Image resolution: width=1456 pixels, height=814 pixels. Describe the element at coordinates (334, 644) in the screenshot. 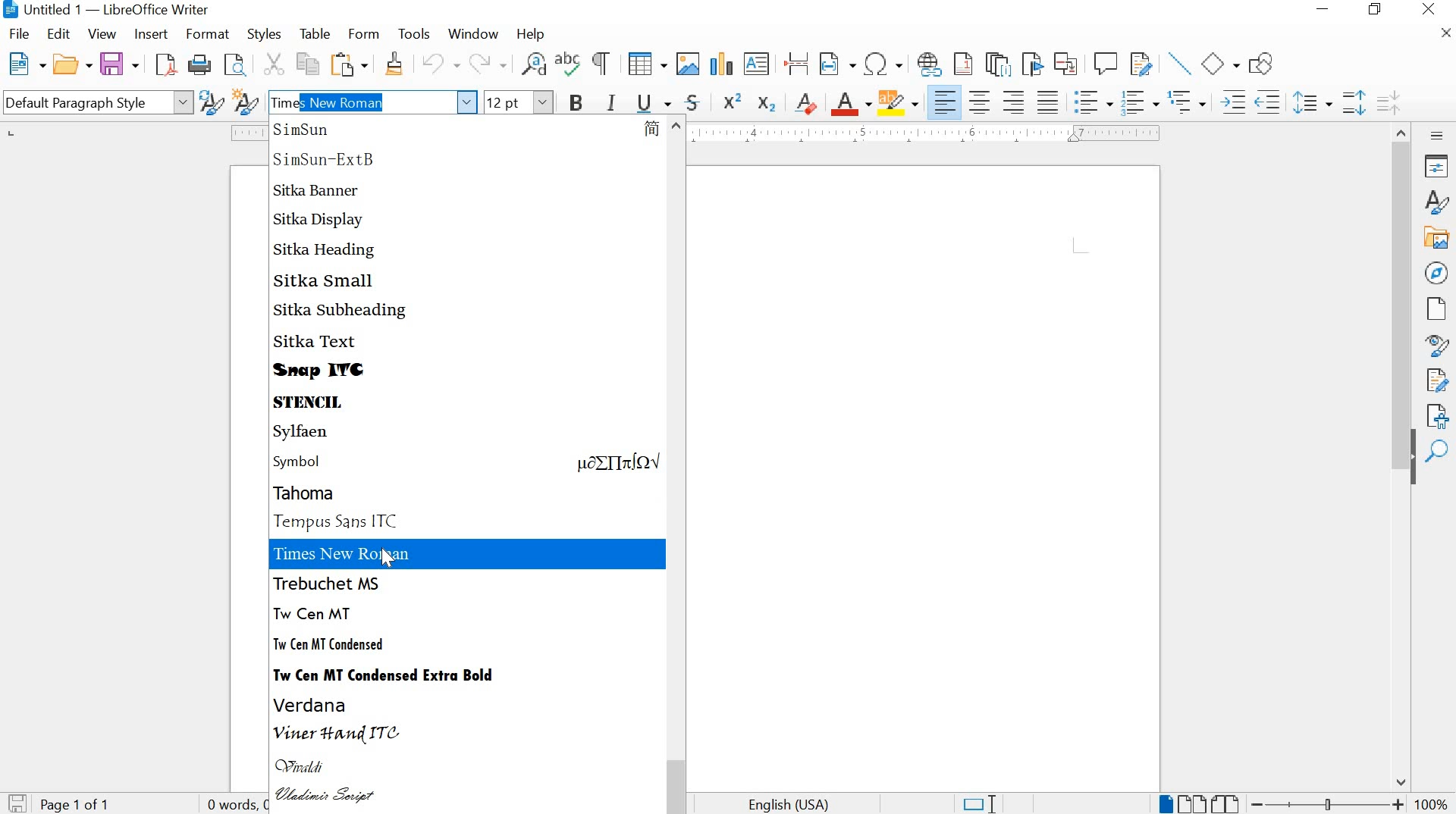

I see `TW CEN MT CONDENSED` at that location.